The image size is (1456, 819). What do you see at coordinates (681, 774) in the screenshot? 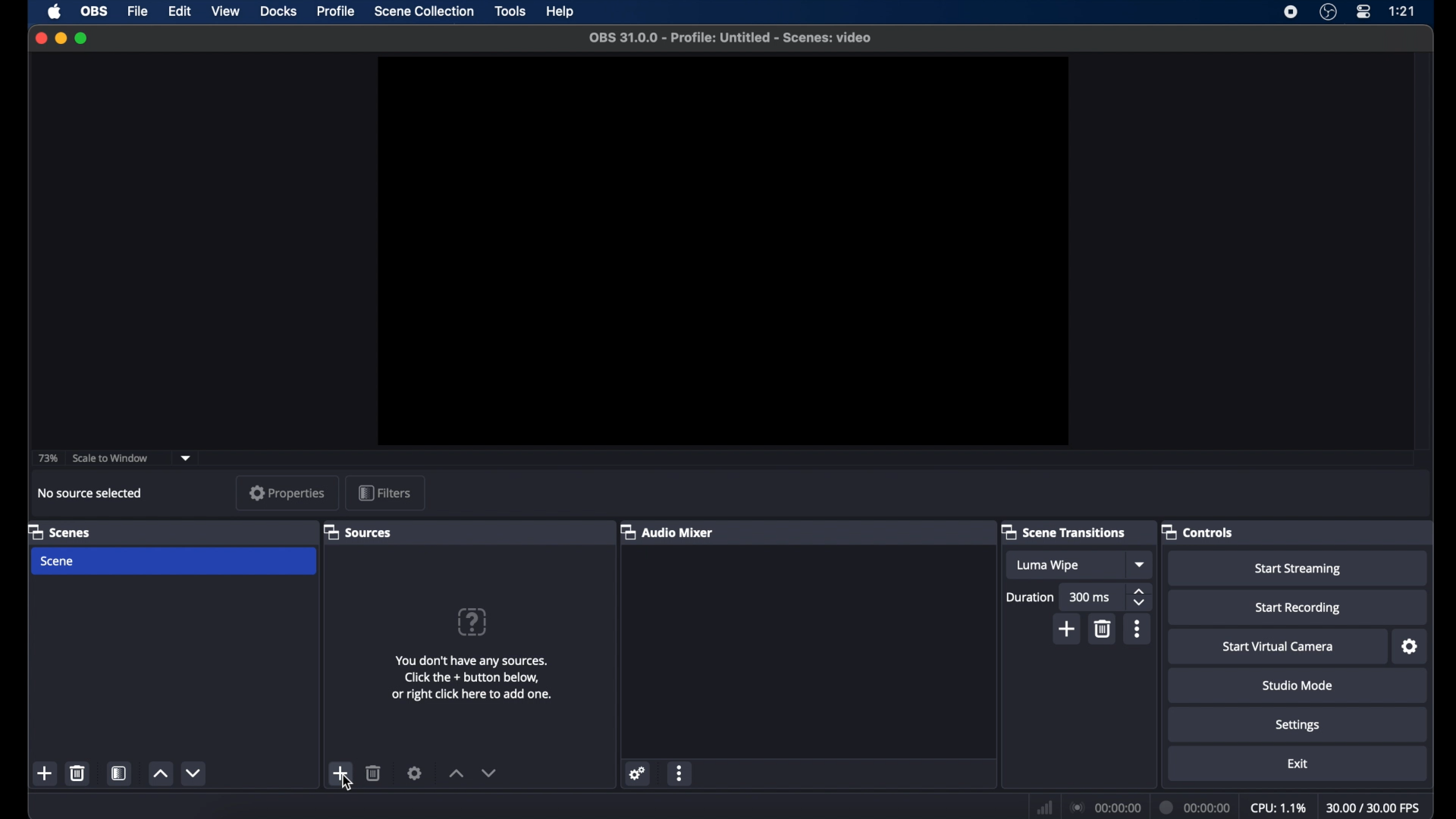
I see `more options` at bounding box center [681, 774].